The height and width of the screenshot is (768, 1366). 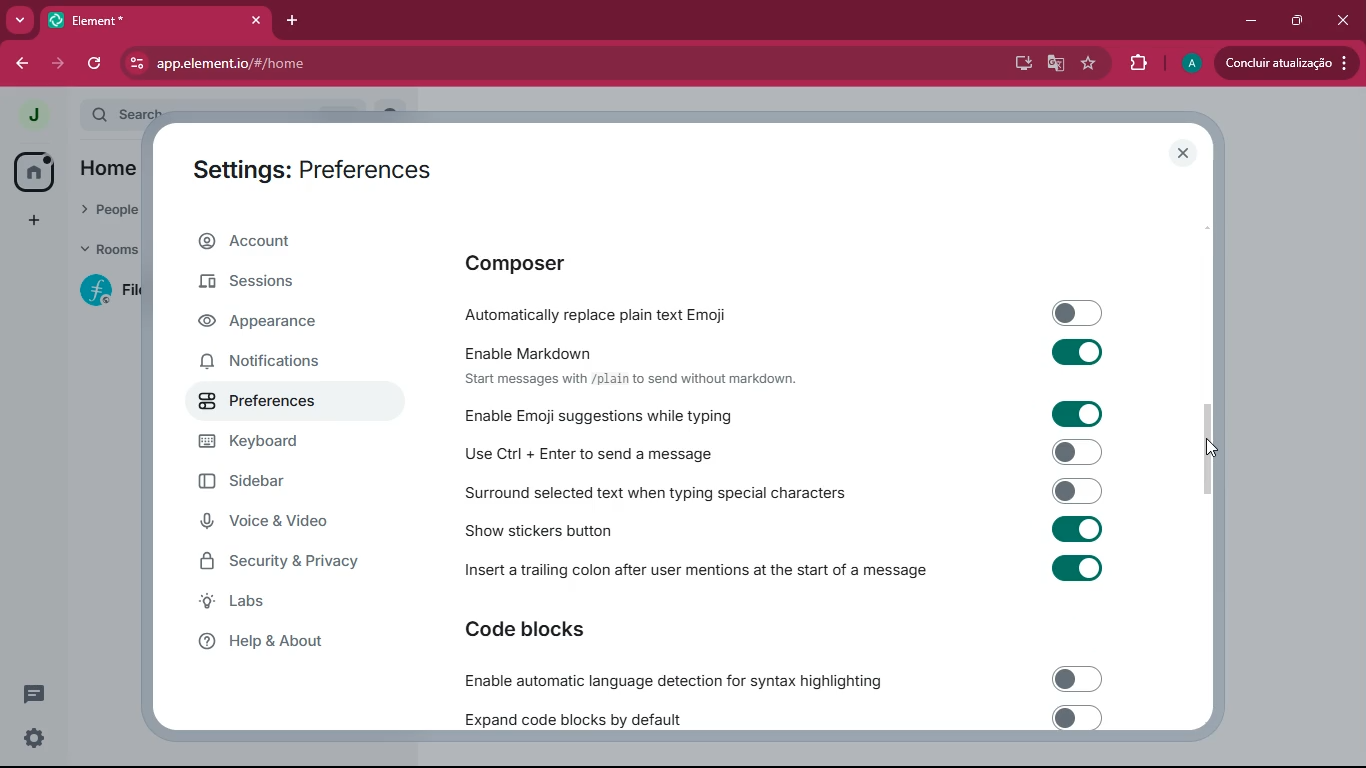 What do you see at coordinates (776, 718) in the screenshot?
I see `expand code blocks by default` at bounding box center [776, 718].